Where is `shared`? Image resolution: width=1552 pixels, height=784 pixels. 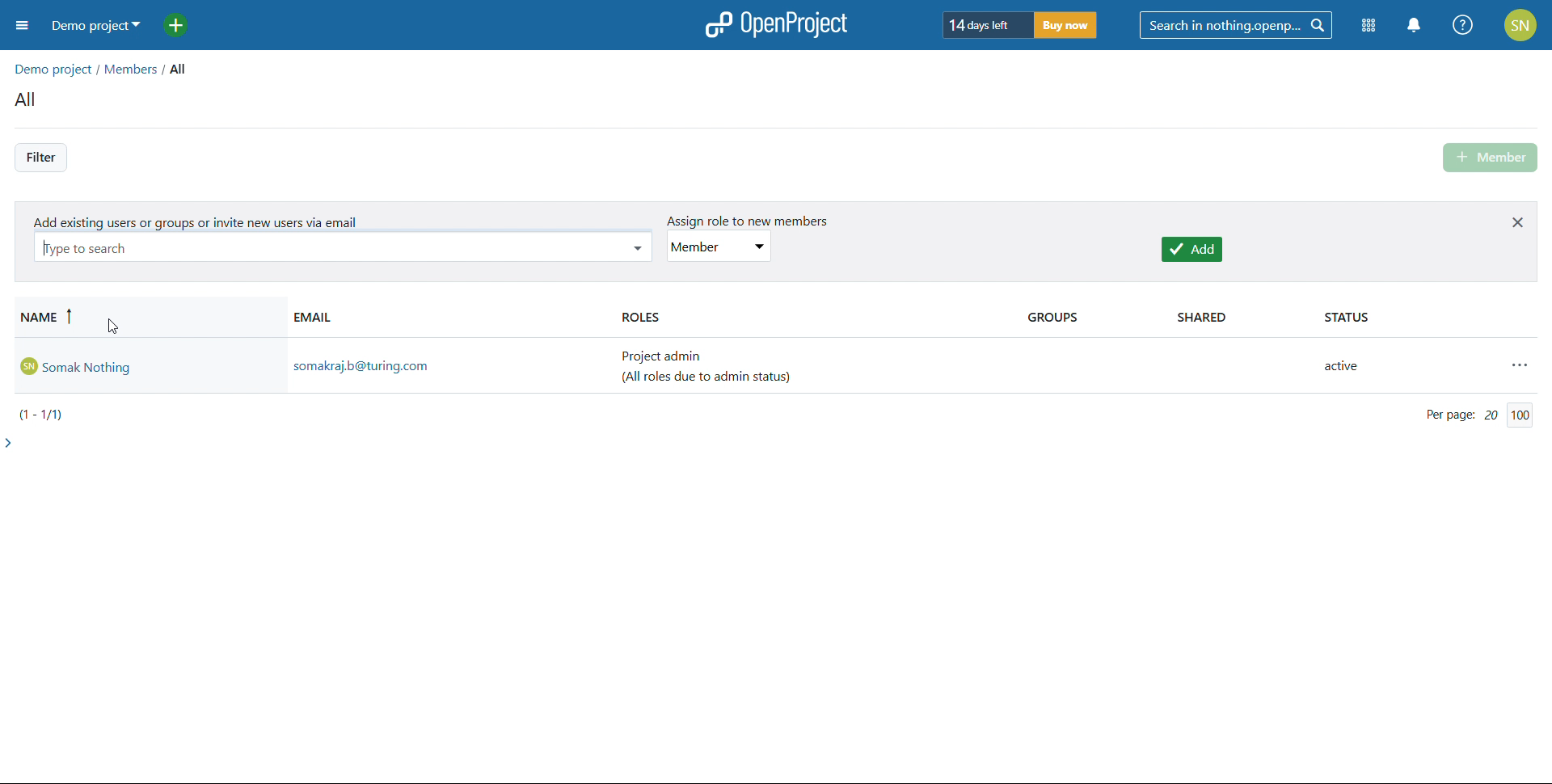 shared is located at coordinates (1231, 318).